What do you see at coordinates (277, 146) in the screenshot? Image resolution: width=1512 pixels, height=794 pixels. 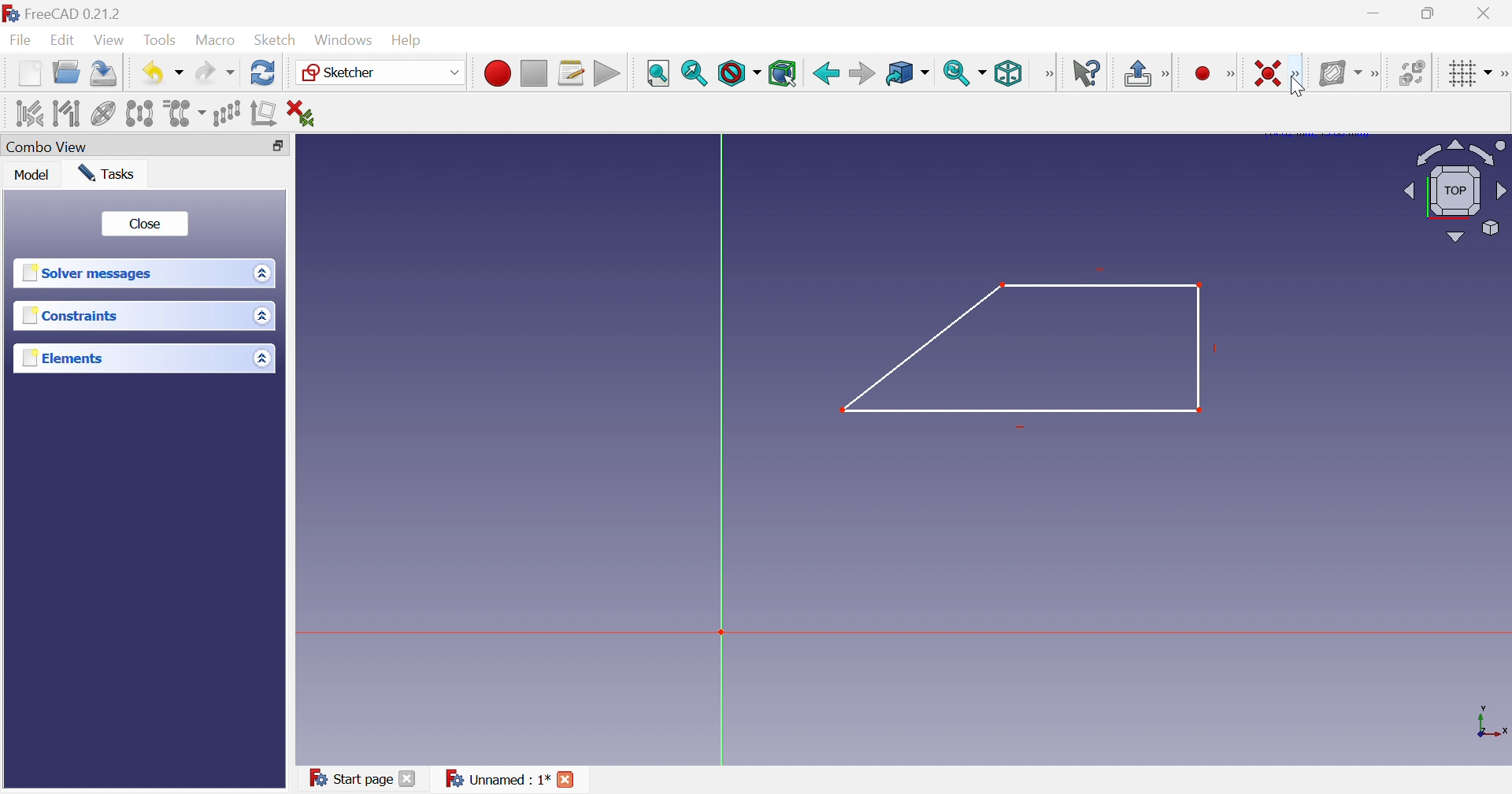 I see `Change view` at bounding box center [277, 146].